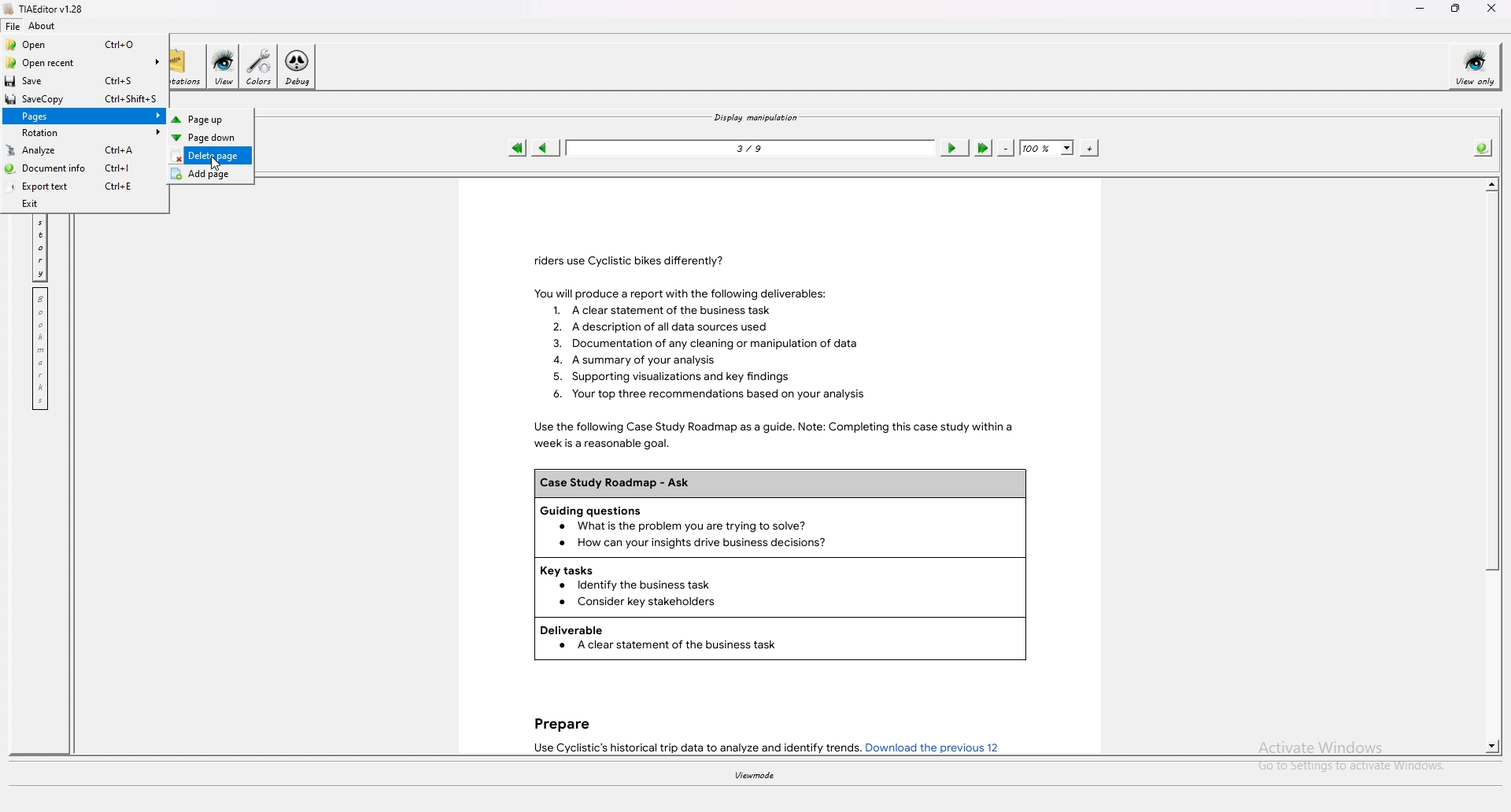 This screenshot has width=1511, height=812. Describe the element at coordinates (545, 148) in the screenshot. I see `previous page` at that location.